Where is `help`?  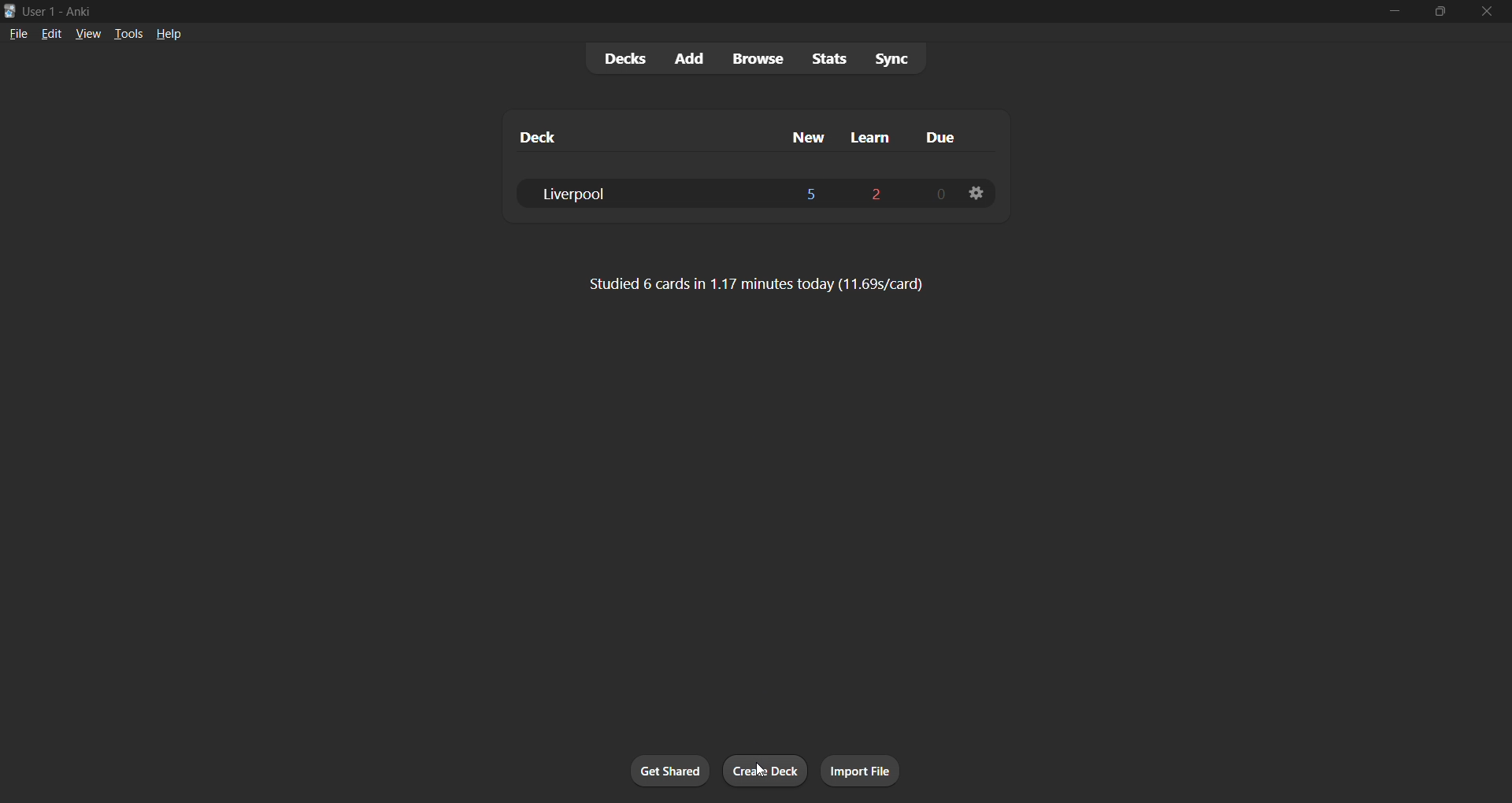
help is located at coordinates (167, 33).